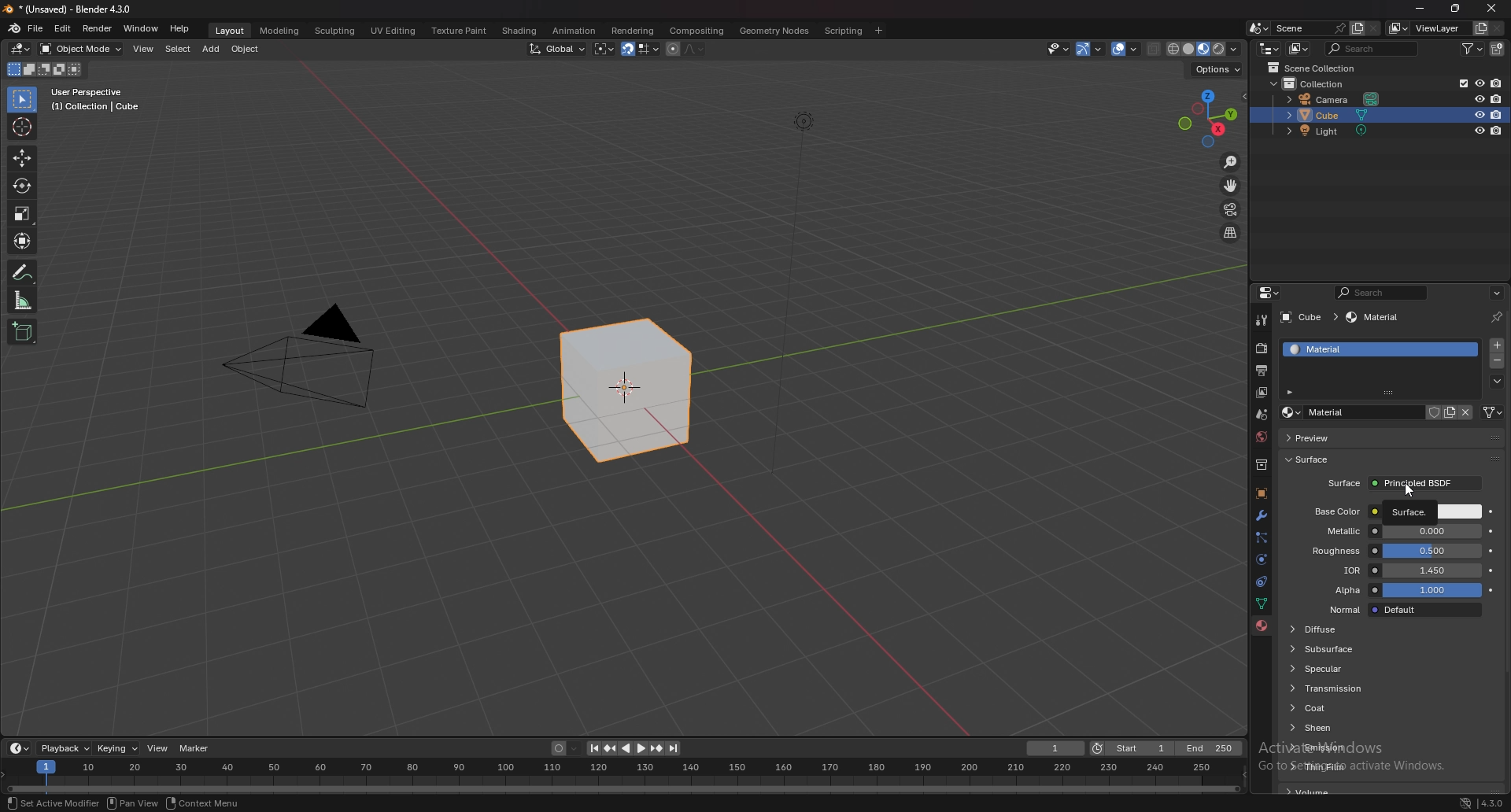  I want to click on collection, so click(1324, 83).